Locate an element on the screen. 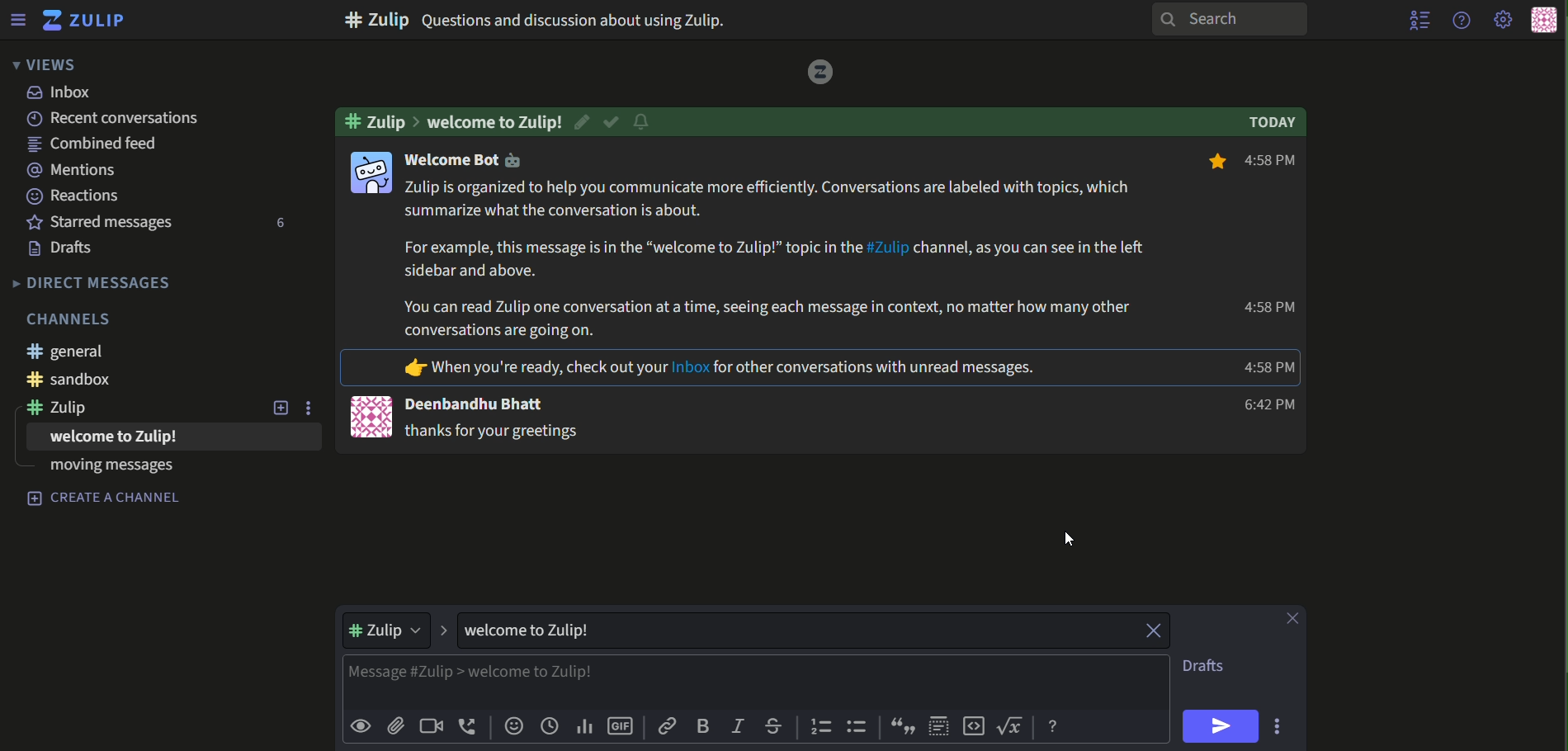 Image resolution: width=1568 pixels, height=751 pixels. text is located at coordinates (1276, 123).